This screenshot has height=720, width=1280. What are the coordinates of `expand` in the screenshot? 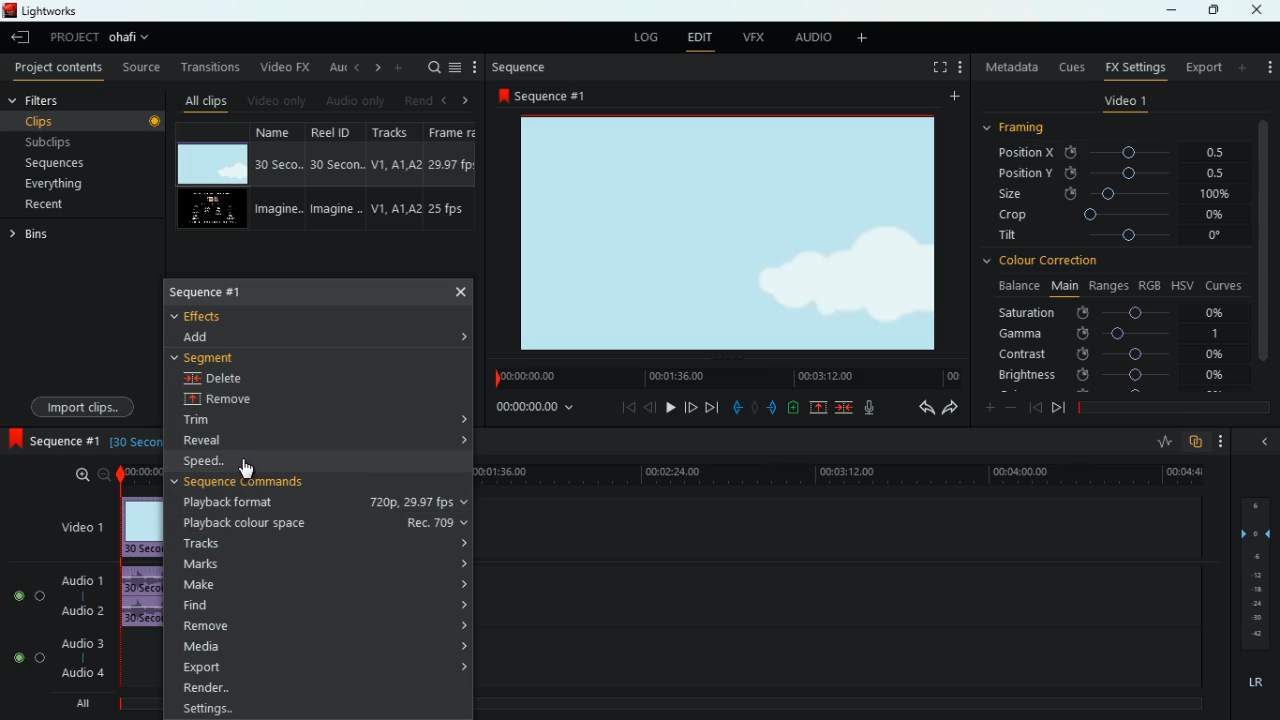 It's located at (461, 418).